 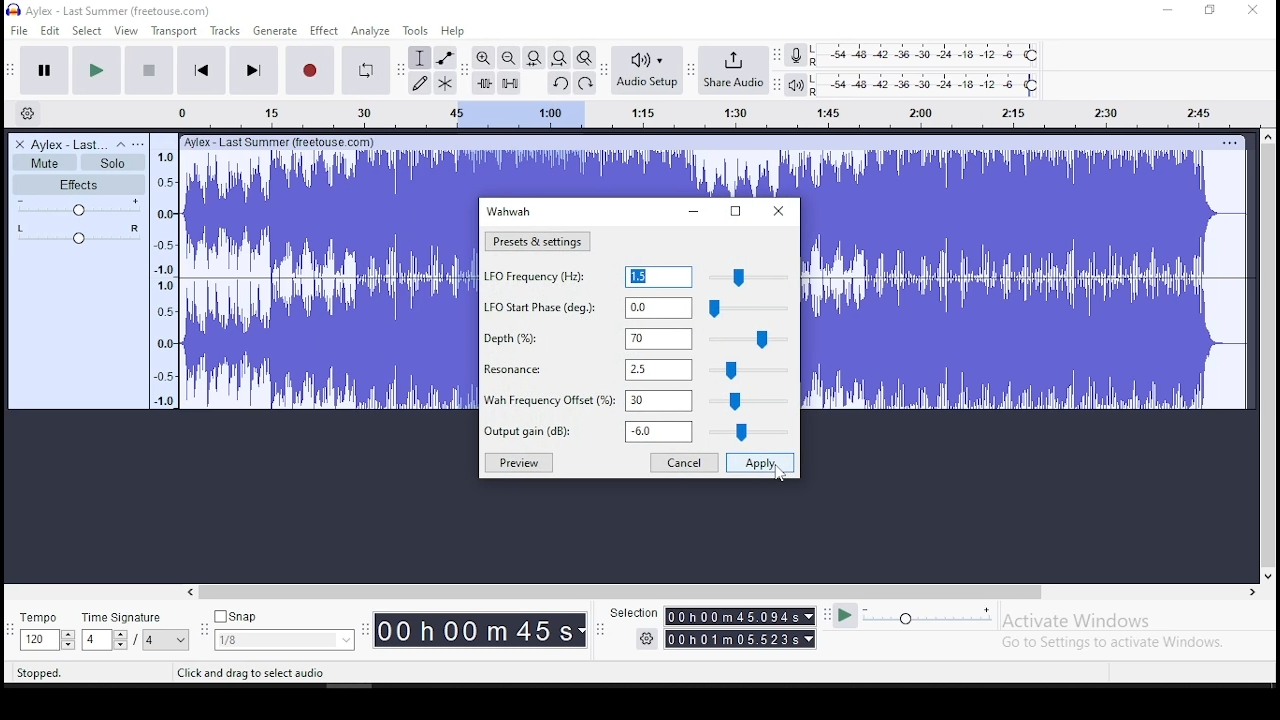 I want to click on resonance, so click(x=586, y=370).